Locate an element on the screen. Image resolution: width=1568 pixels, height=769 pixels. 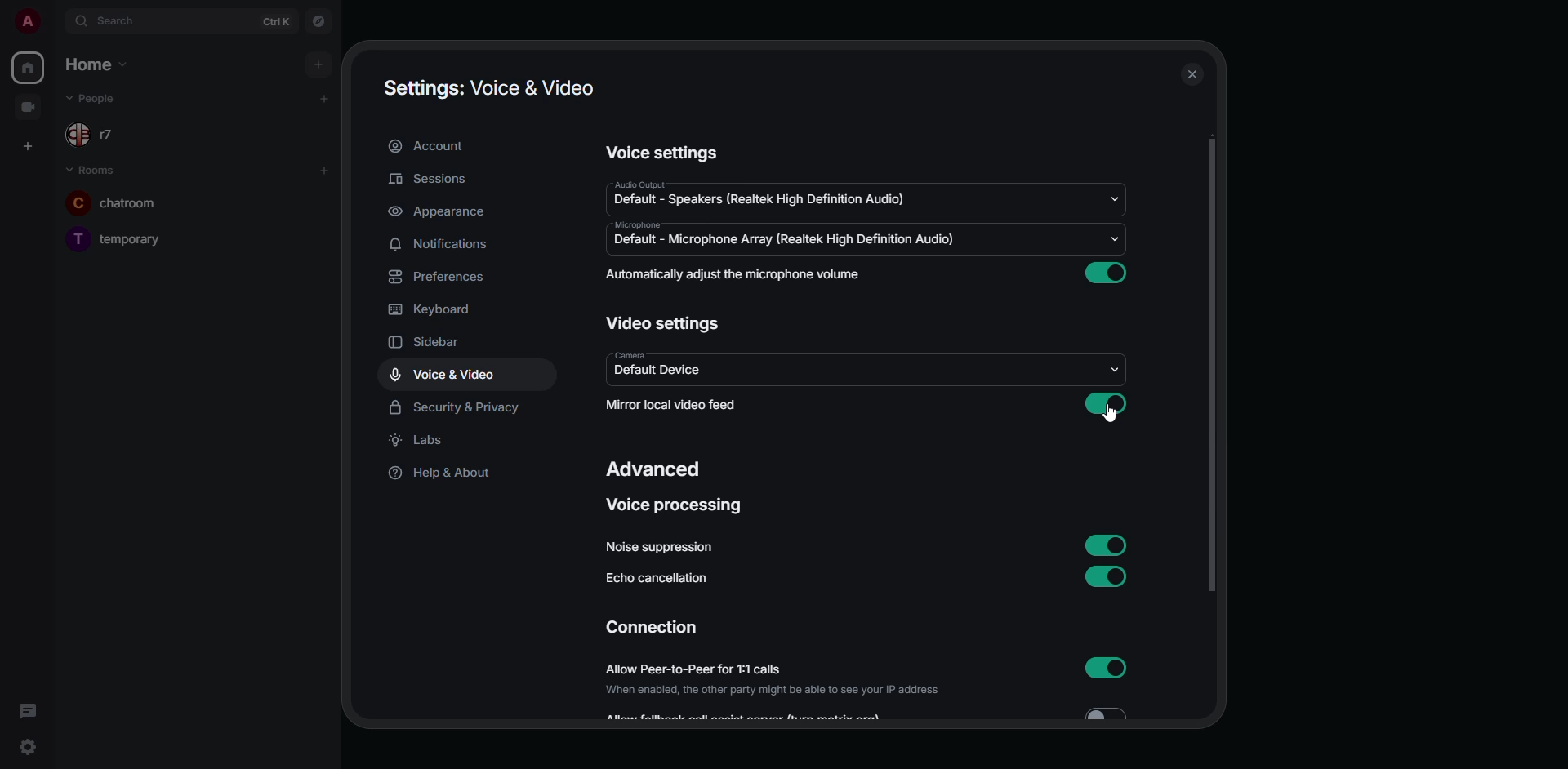
expand is located at coordinates (54, 21).